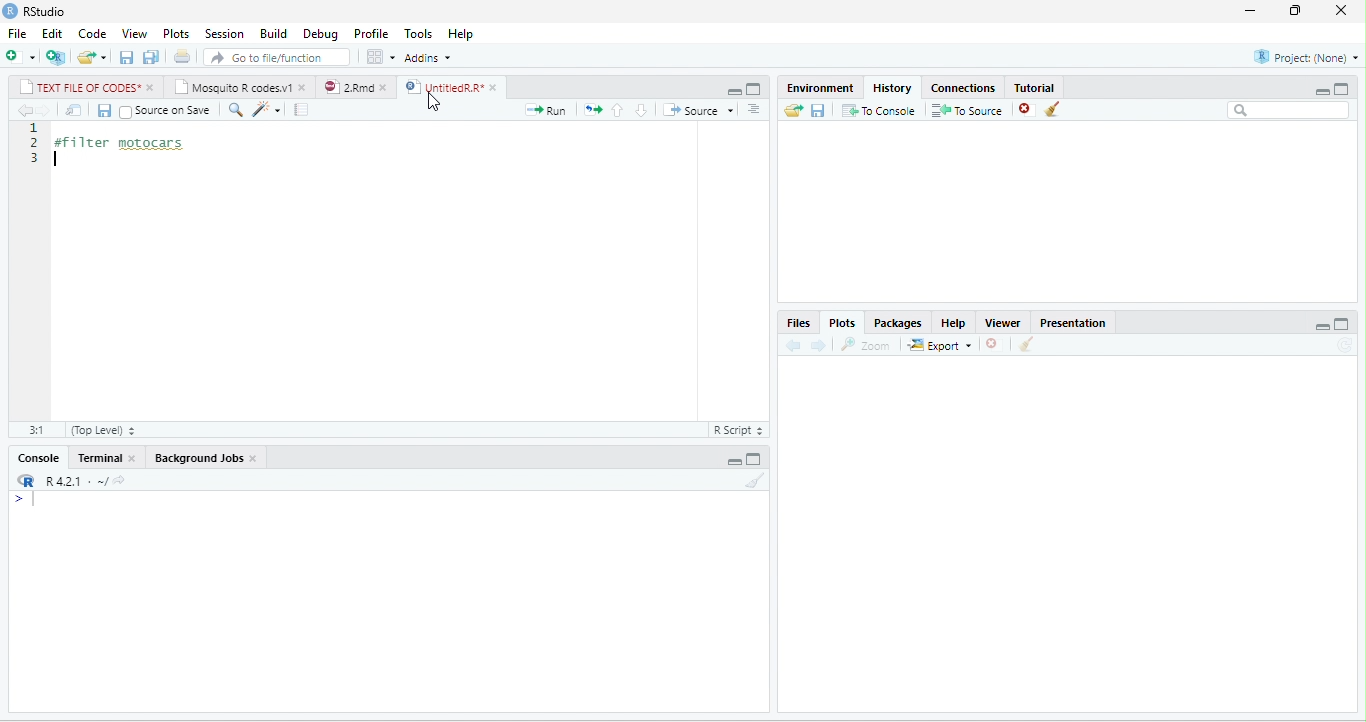 Image resolution: width=1366 pixels, height=722 pixels. Describe the element at coordinates (1292, 11) in the screenshot. I see `resize` at that location.